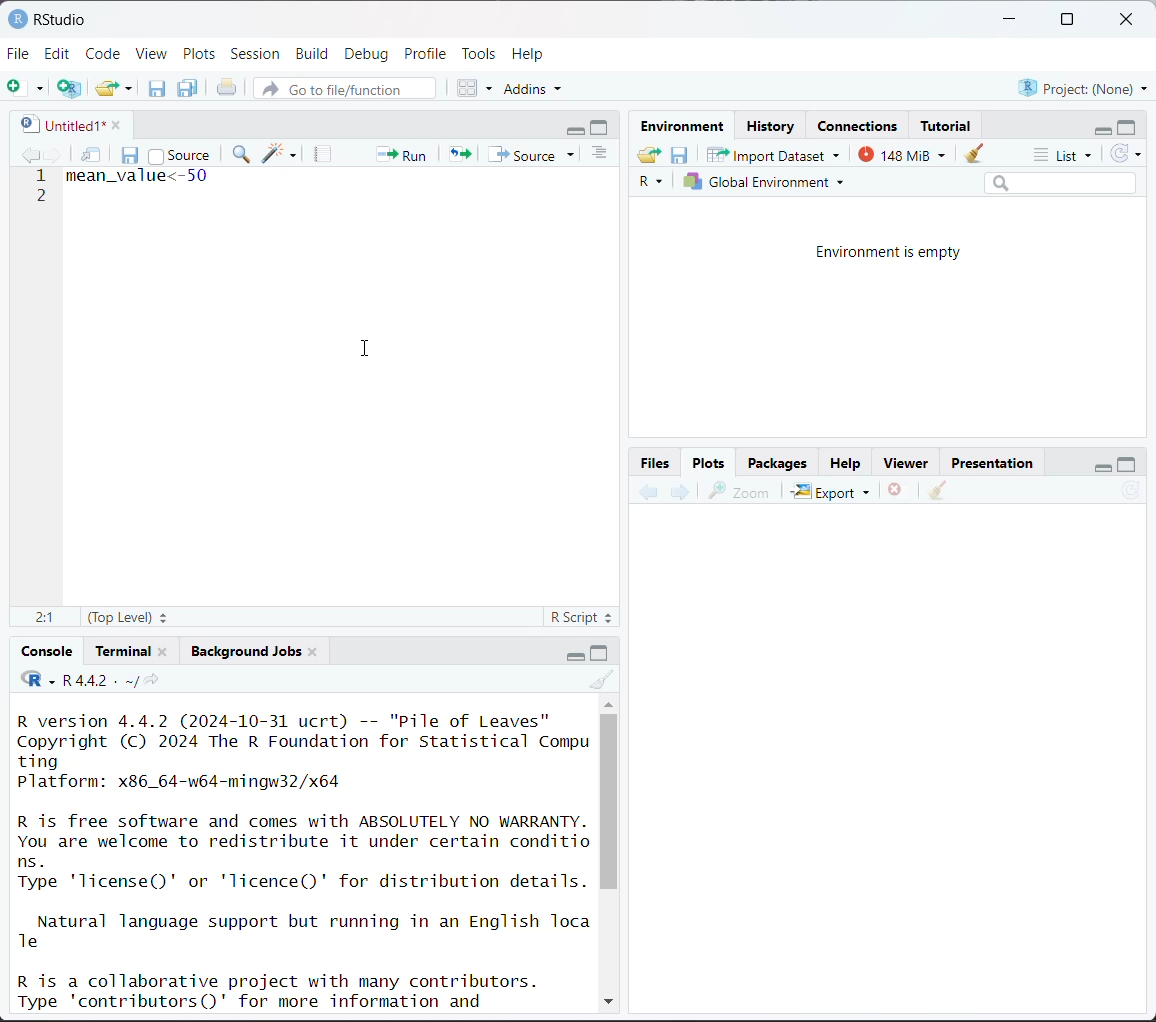 The image size is (1156, 1022). Describe the element at coordinates (30, 156) in the screenshot. I see `go backward to previous source location` at that location.